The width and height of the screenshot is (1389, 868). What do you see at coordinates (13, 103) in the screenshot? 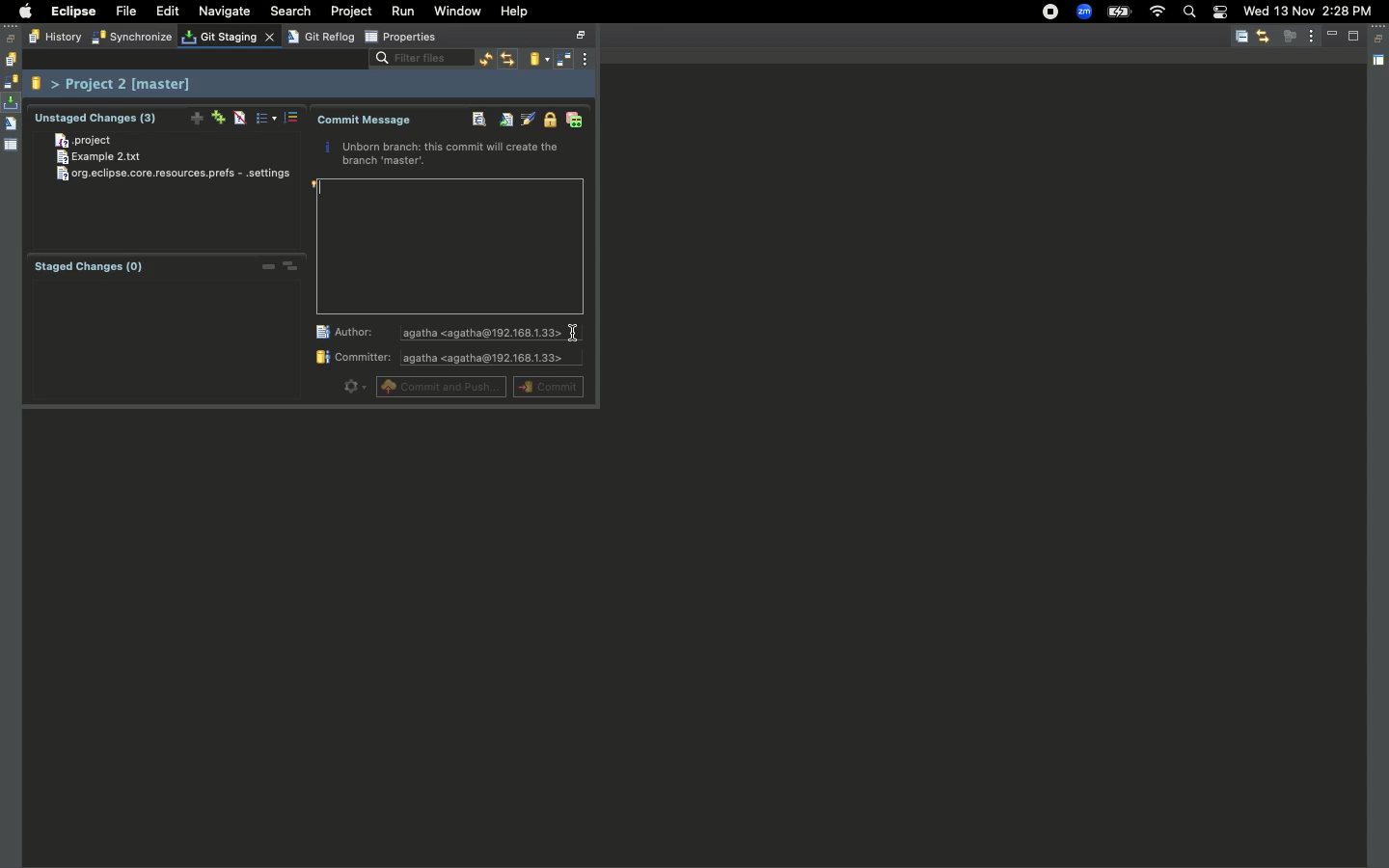
I see `Git staging ` at bounding box center [13, 103].